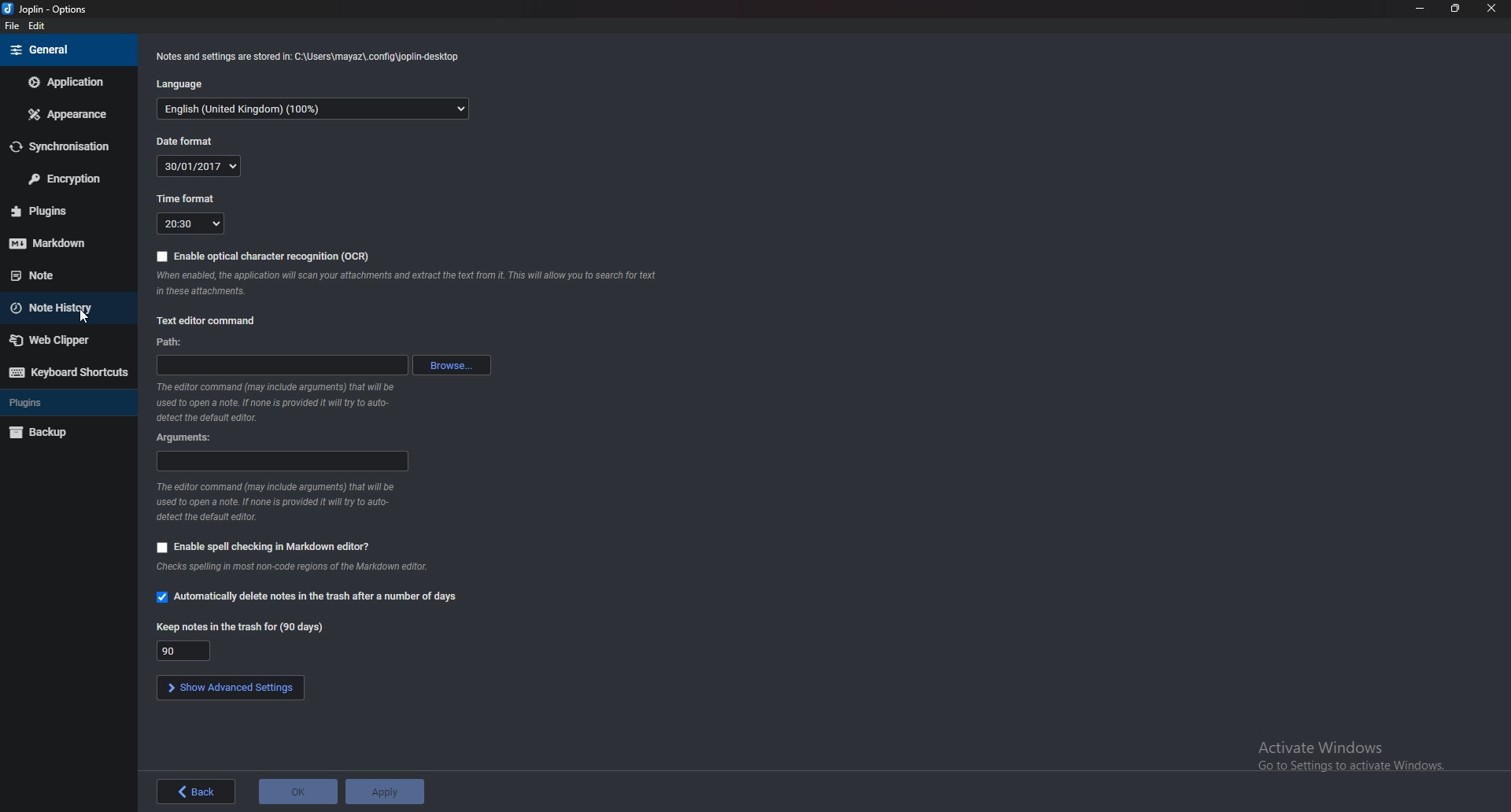 Image resolution: width=1511 pixels, height=812 pixels. I want to click on Note history, so click(69, 307).